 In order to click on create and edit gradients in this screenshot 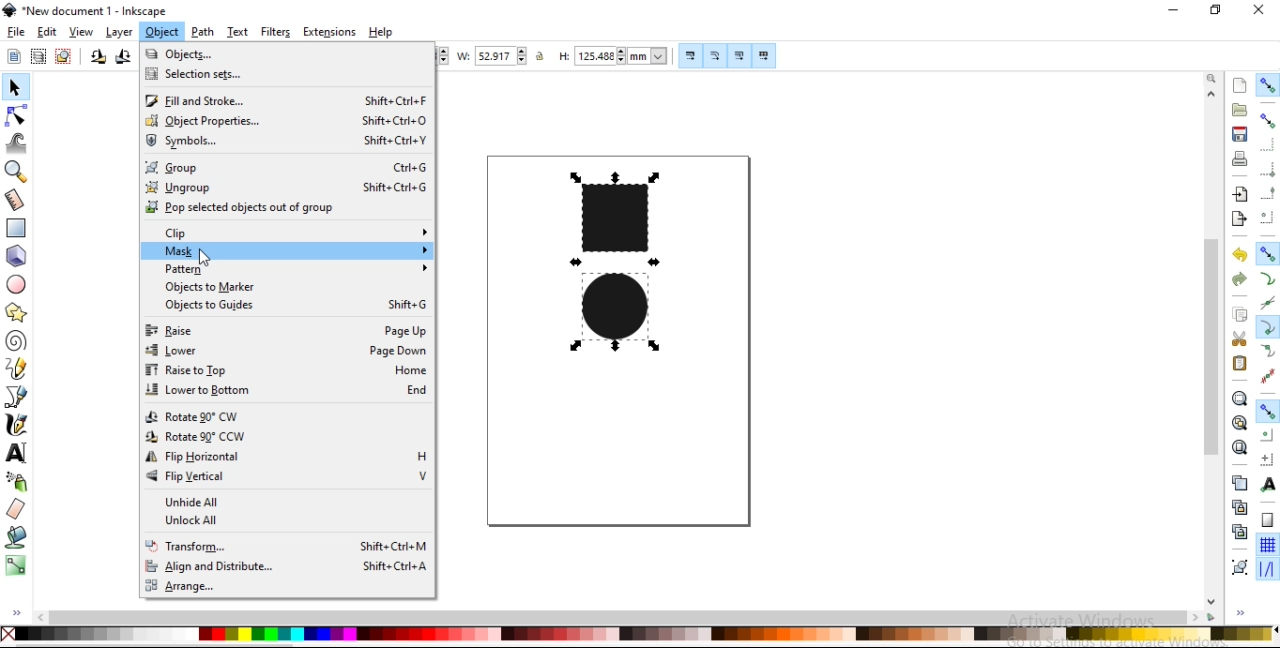, I will do `click(17, 566)`.